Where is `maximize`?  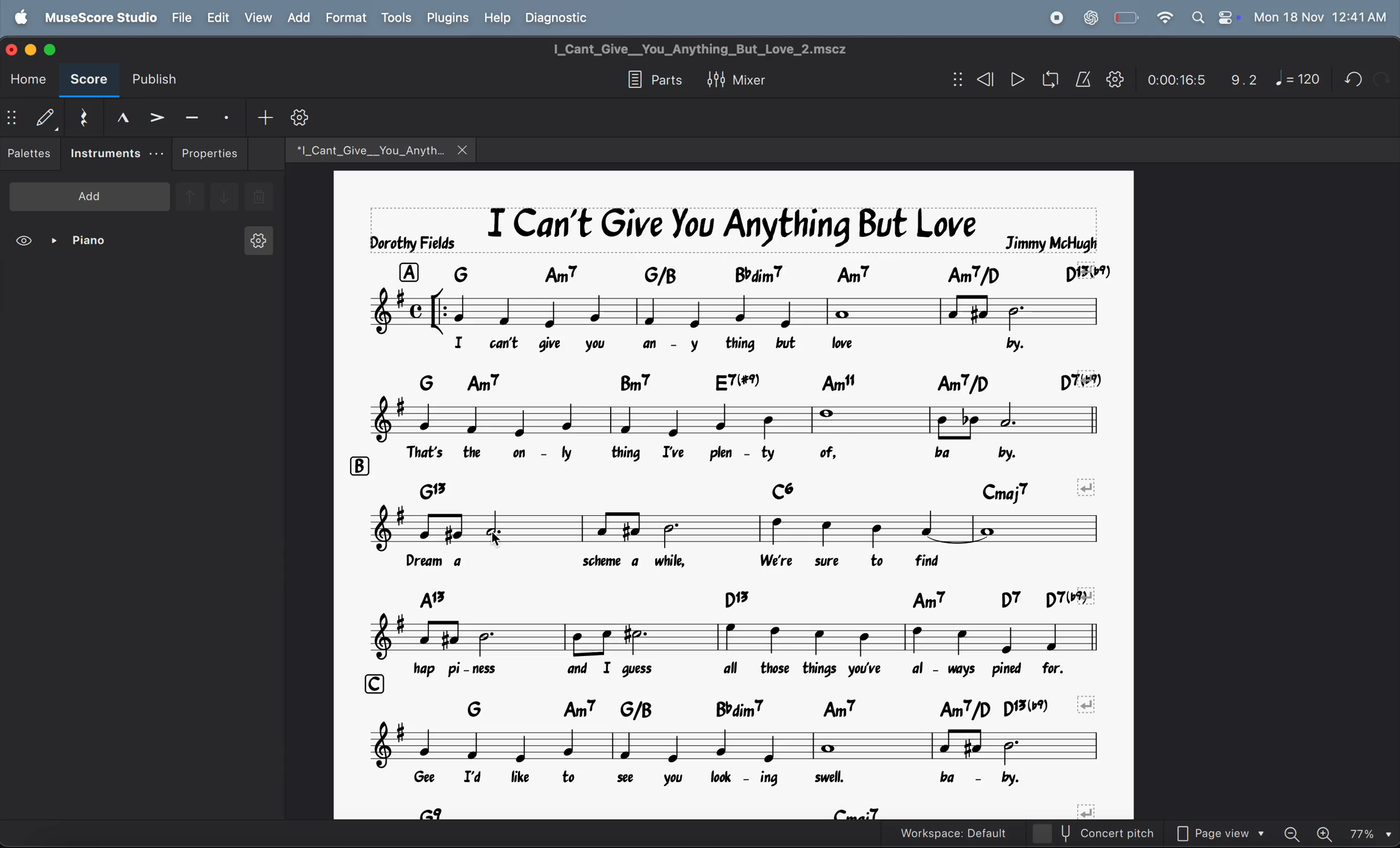
maximize is located at coordinates (56, 49).